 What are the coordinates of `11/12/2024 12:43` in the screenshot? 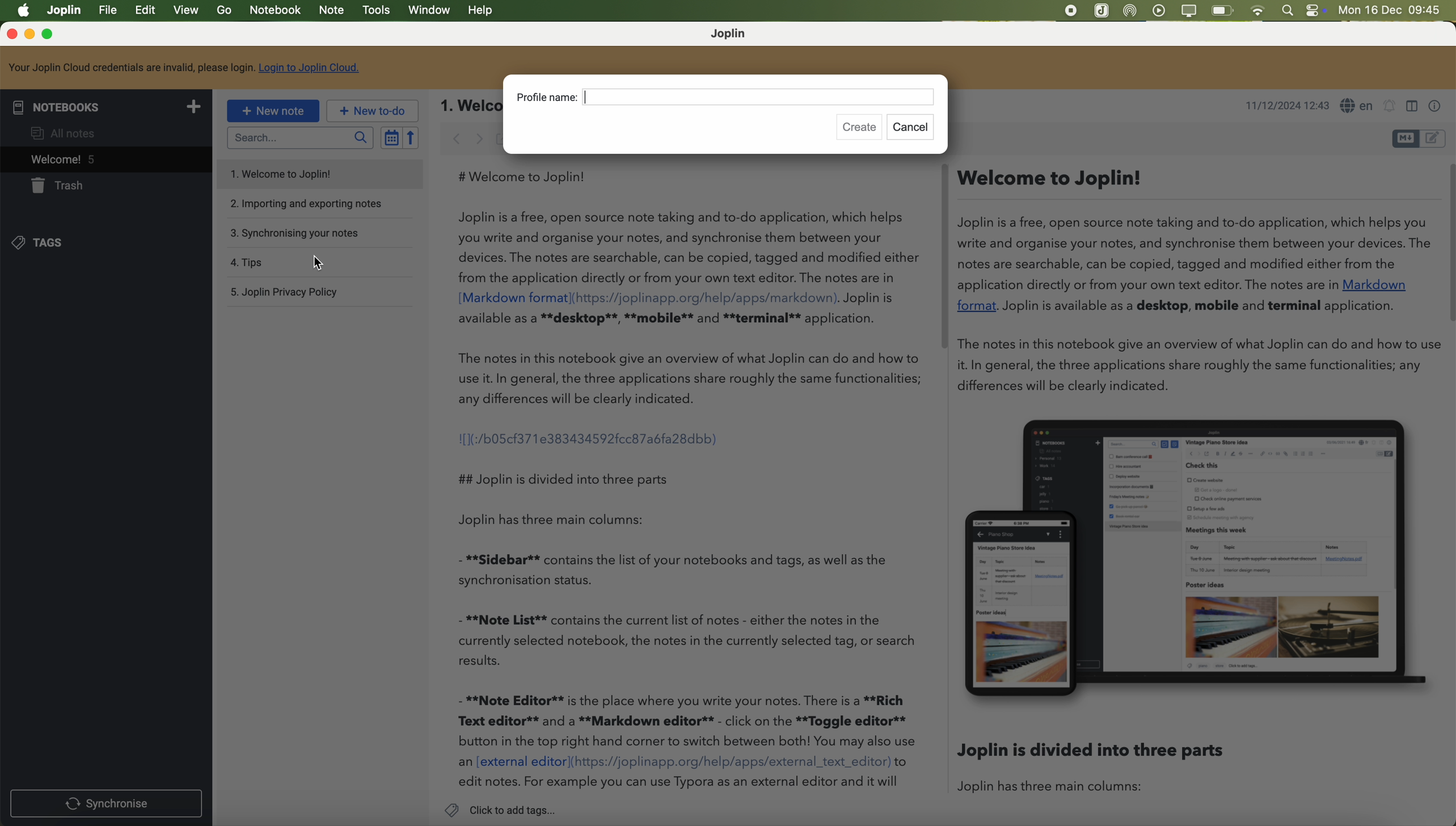 It's located at (1286, 106).